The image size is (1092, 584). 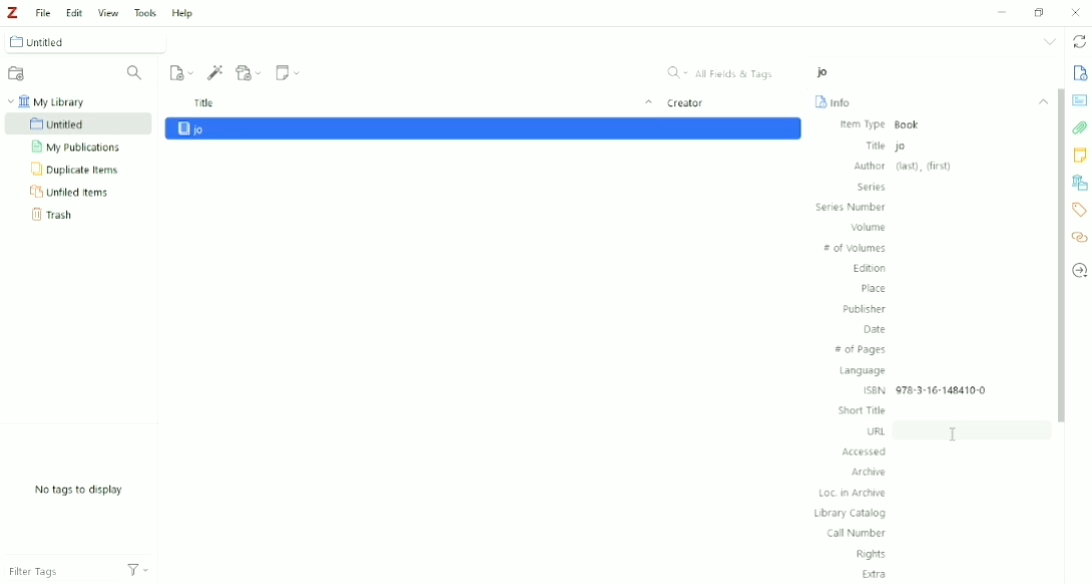 I want to click on New Note, so click(x=289, y=71).